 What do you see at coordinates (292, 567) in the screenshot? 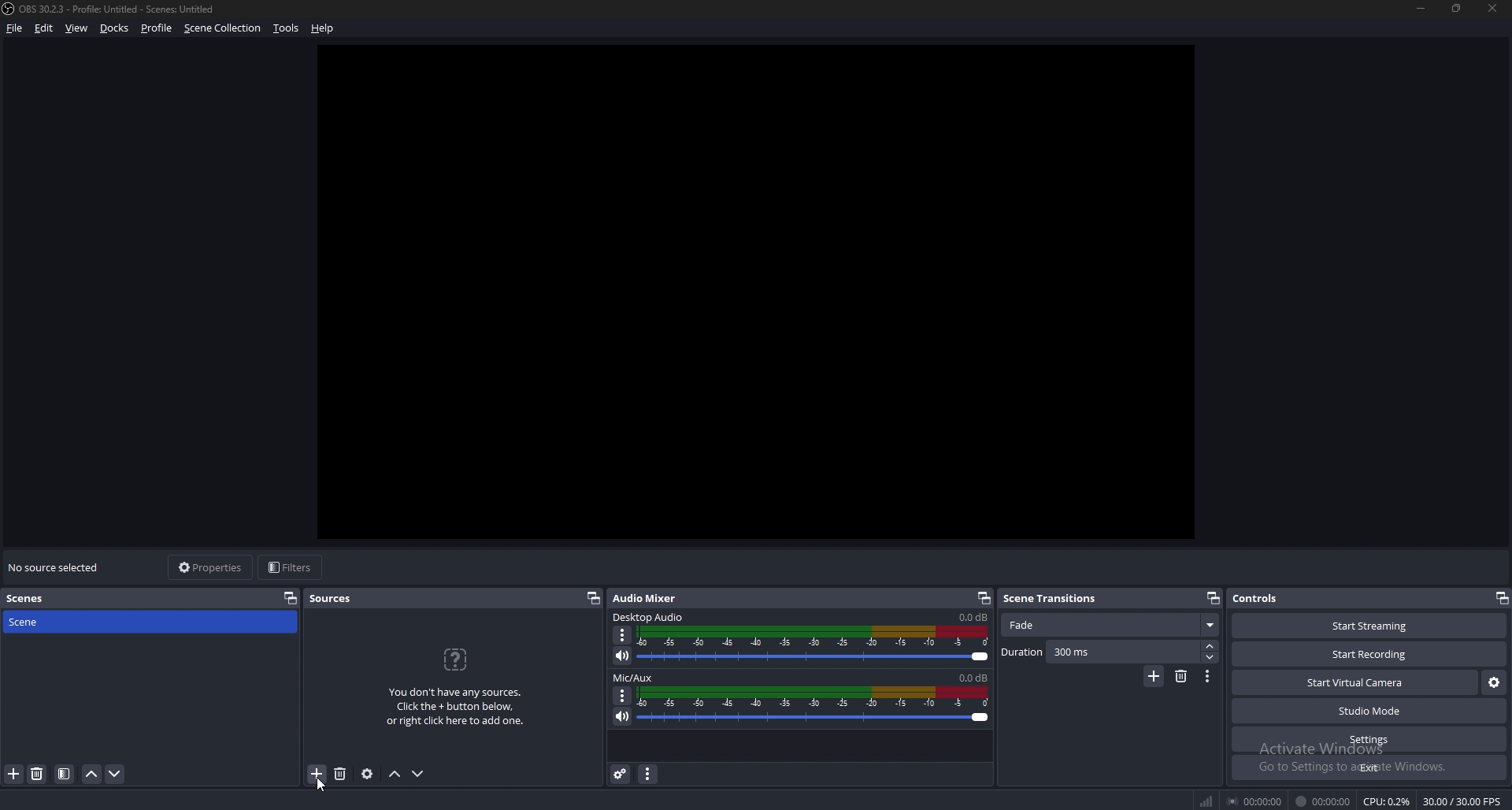
I see `Filters ` at bounding box center [292, 567].